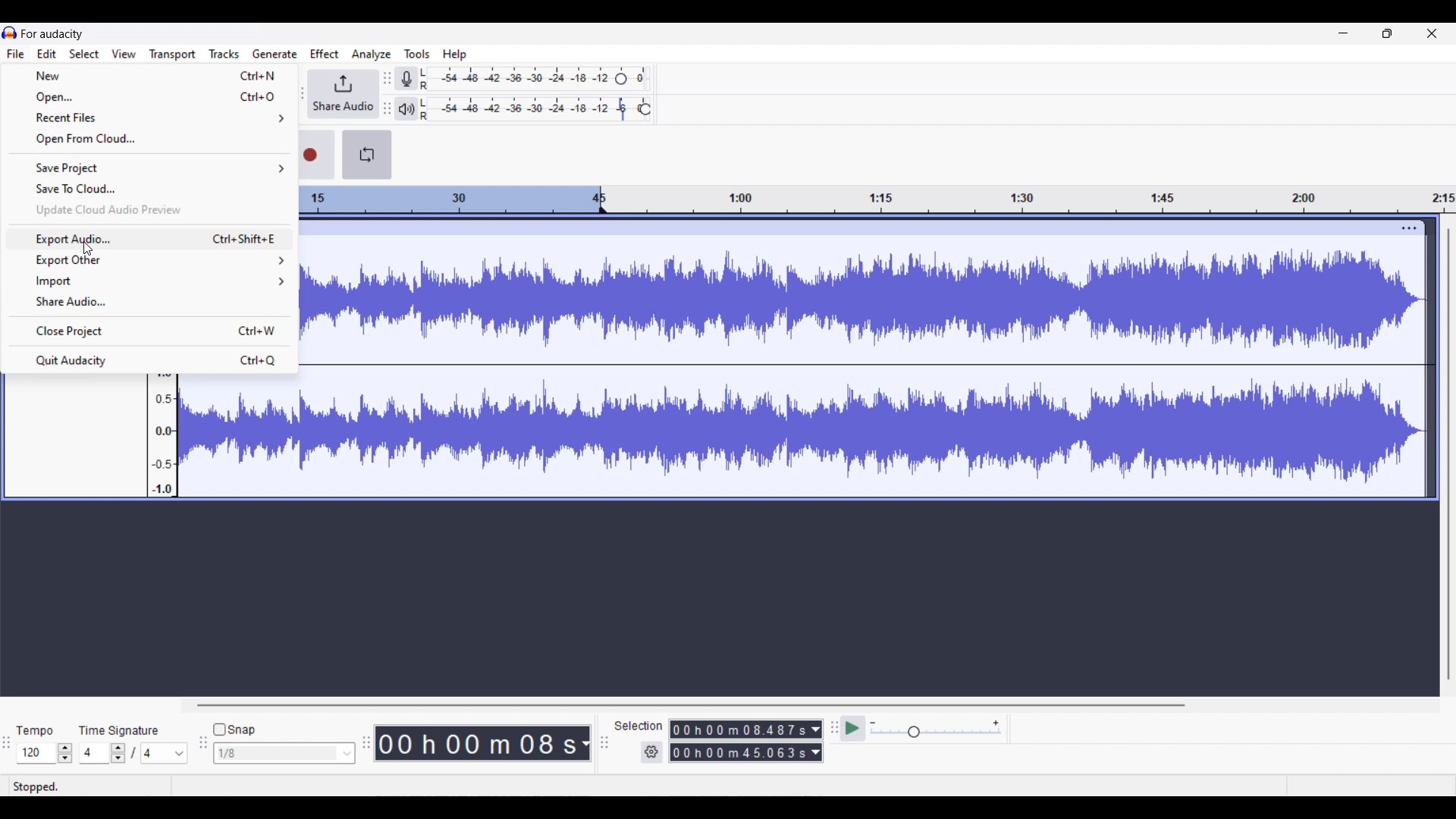 The height and width of the screenshot is (819, 1456). What do you see at coordinates (1387, 33) in the screenshot?
I see `Show in smaller tab` at bounding box center [1387, 33].